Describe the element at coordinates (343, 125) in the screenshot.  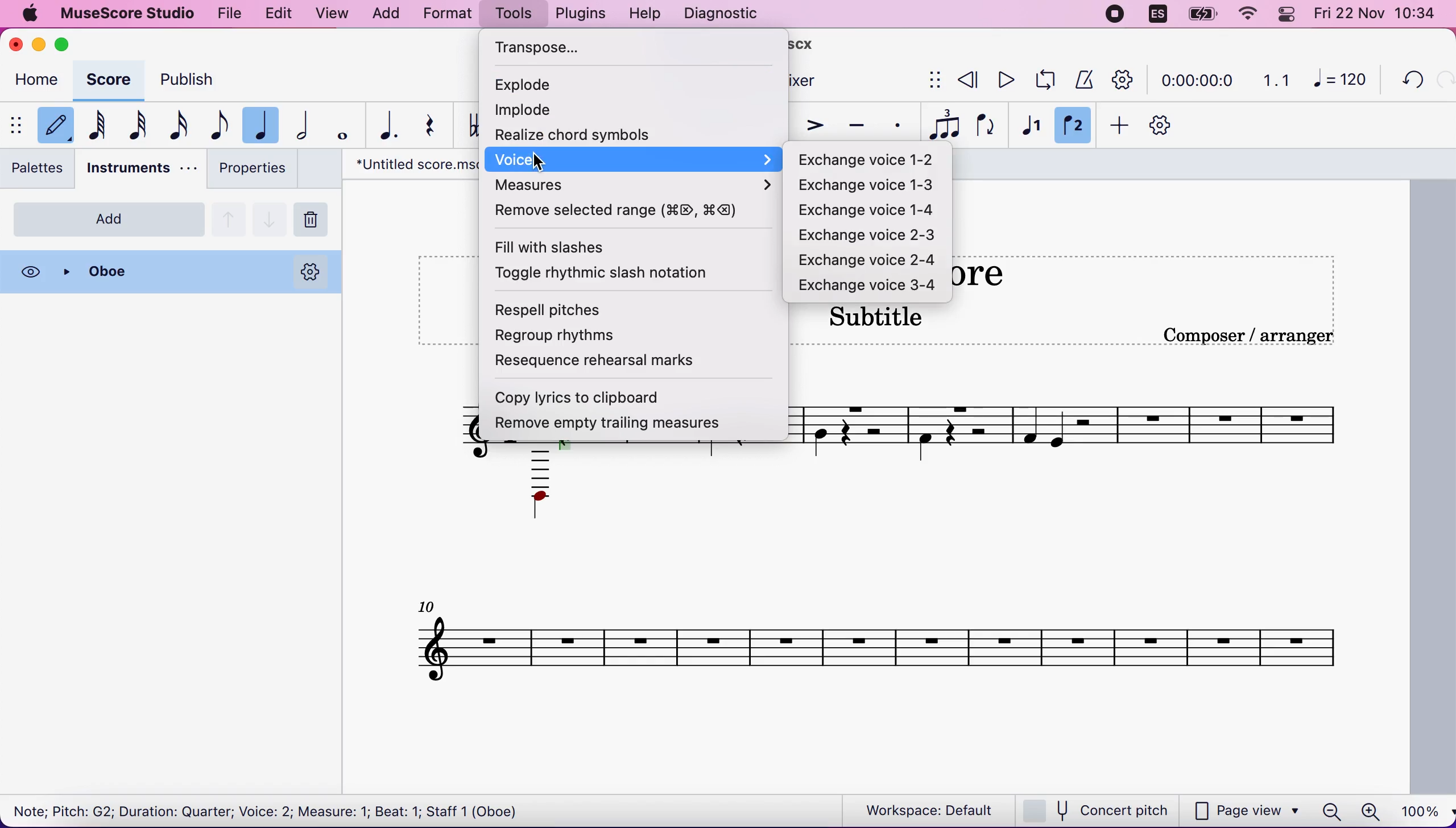
I see `whole note` at that location.